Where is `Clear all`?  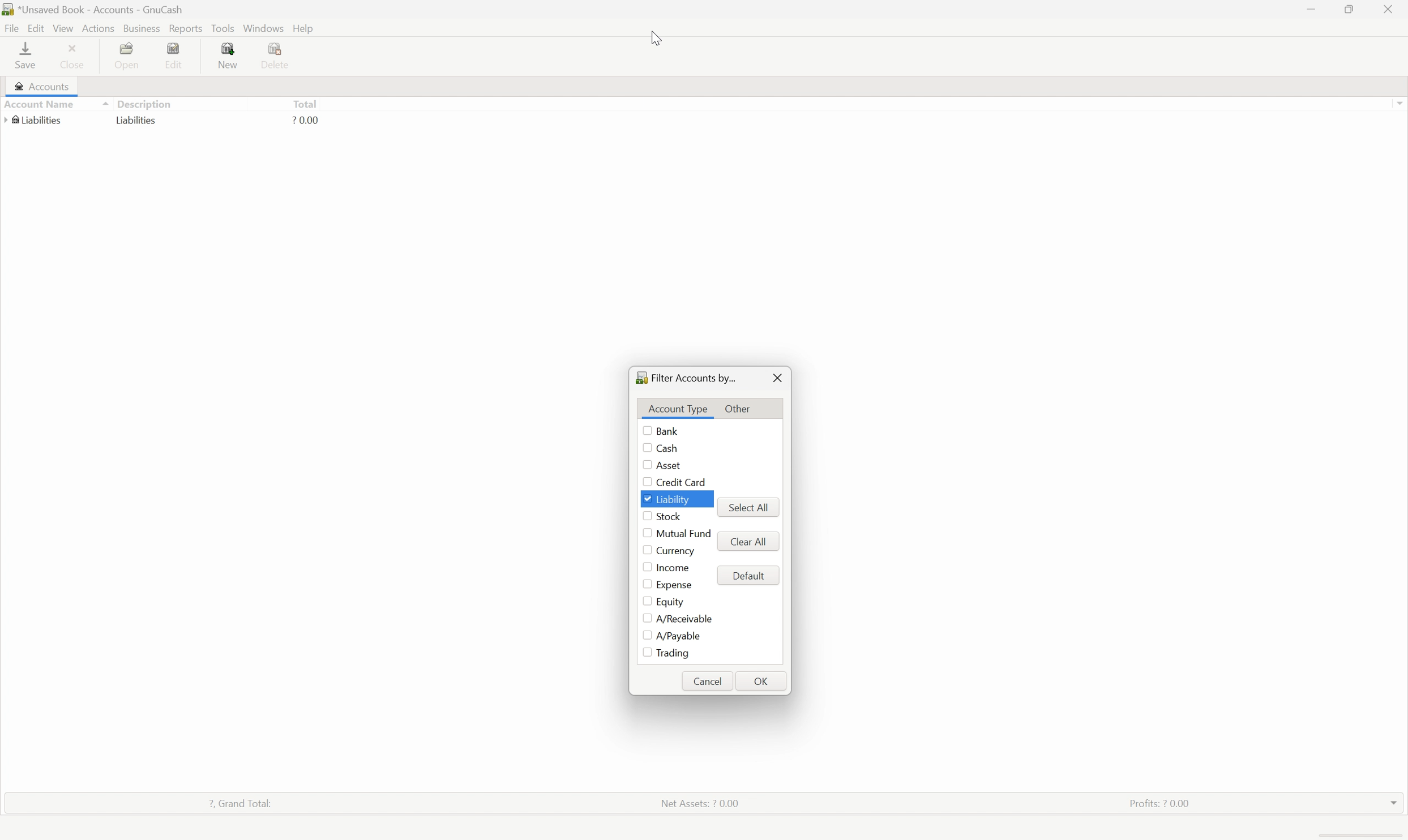 Clear all is located at coordinates (747, 541).